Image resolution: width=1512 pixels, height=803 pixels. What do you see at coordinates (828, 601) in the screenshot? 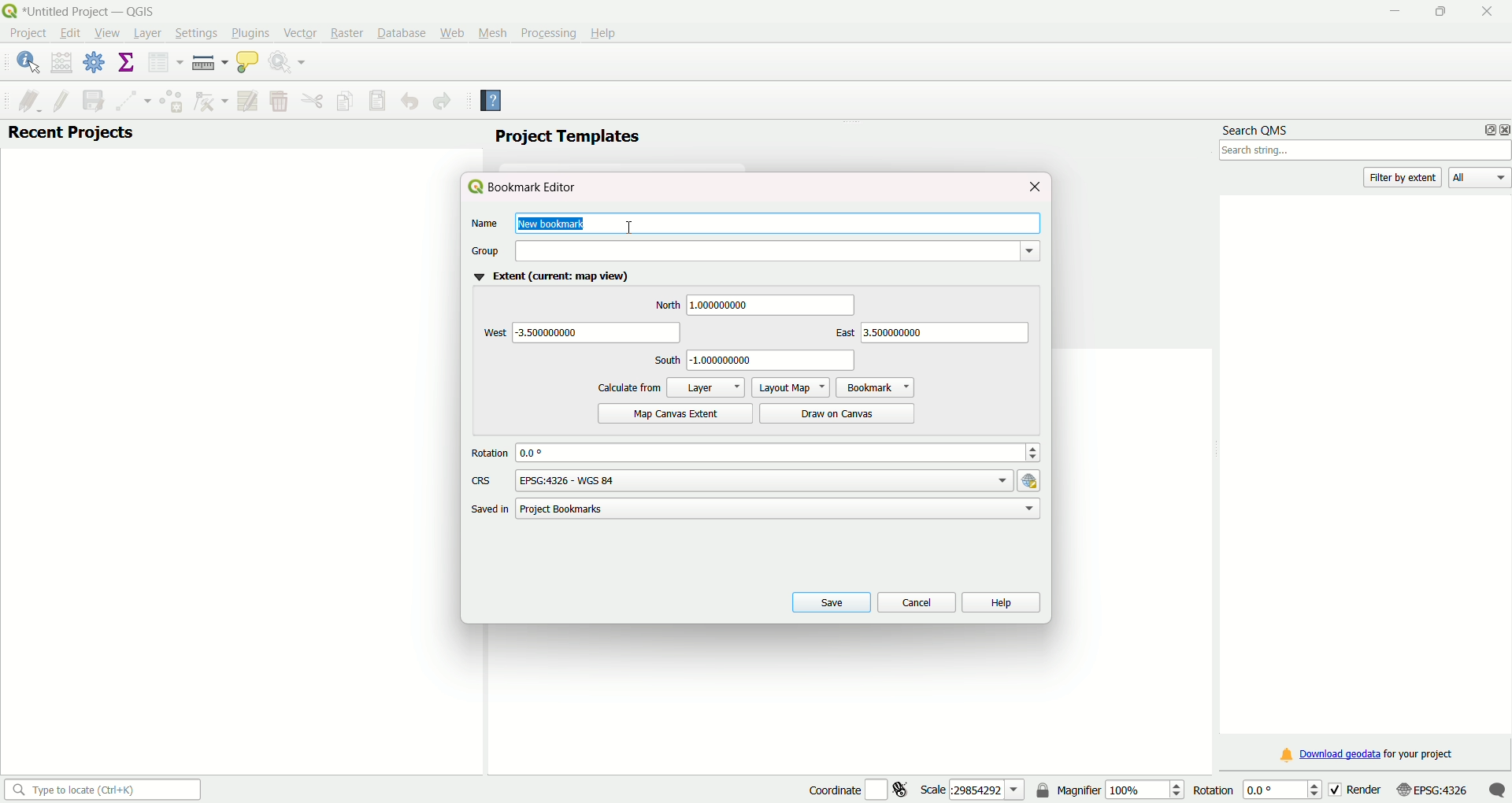
I see `save` at bounding box center [828, 601].